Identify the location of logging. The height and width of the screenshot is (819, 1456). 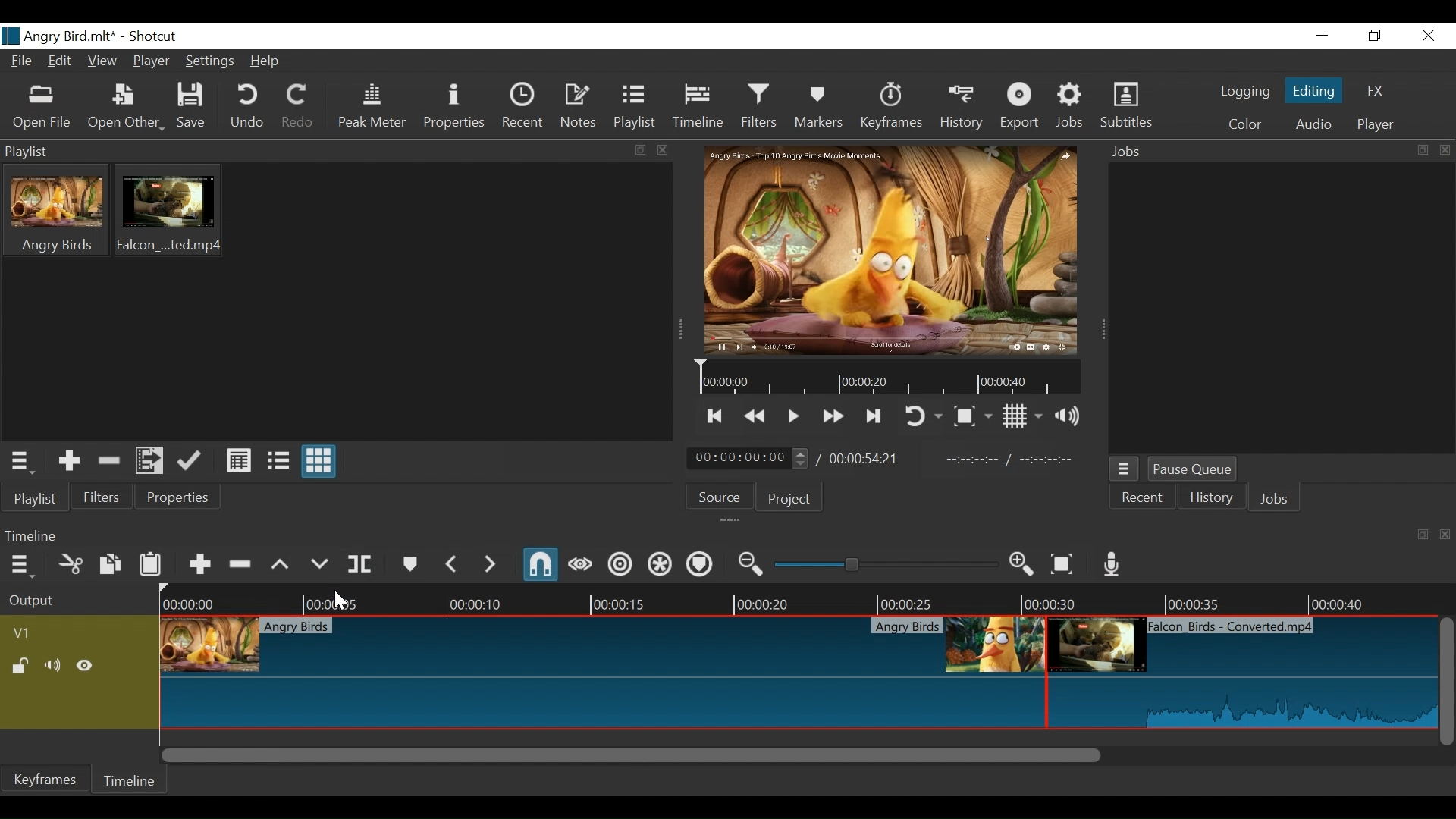
(1244, 91).